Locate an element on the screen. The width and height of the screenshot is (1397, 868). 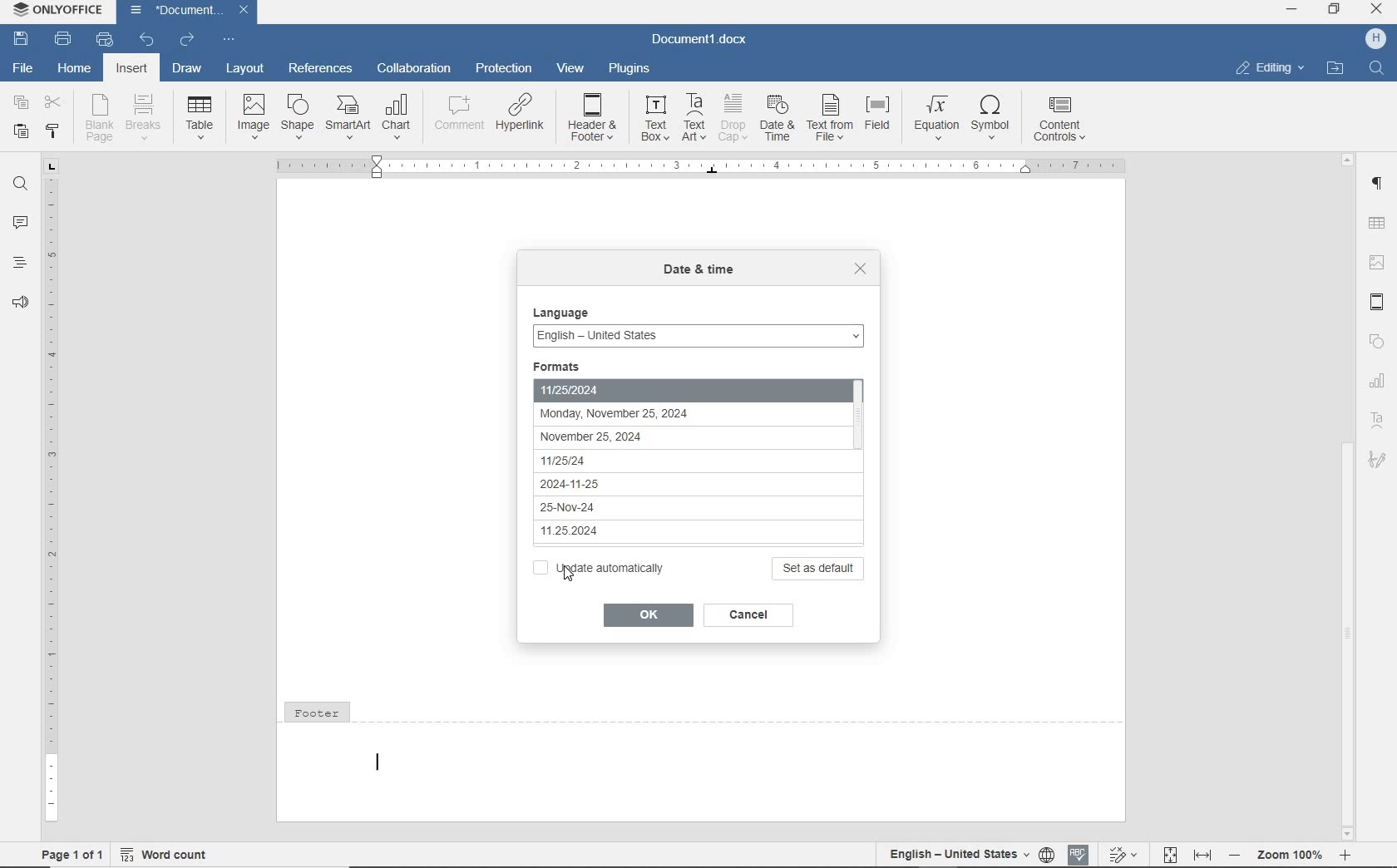
Text Art is located at coordinates (1377, 423).